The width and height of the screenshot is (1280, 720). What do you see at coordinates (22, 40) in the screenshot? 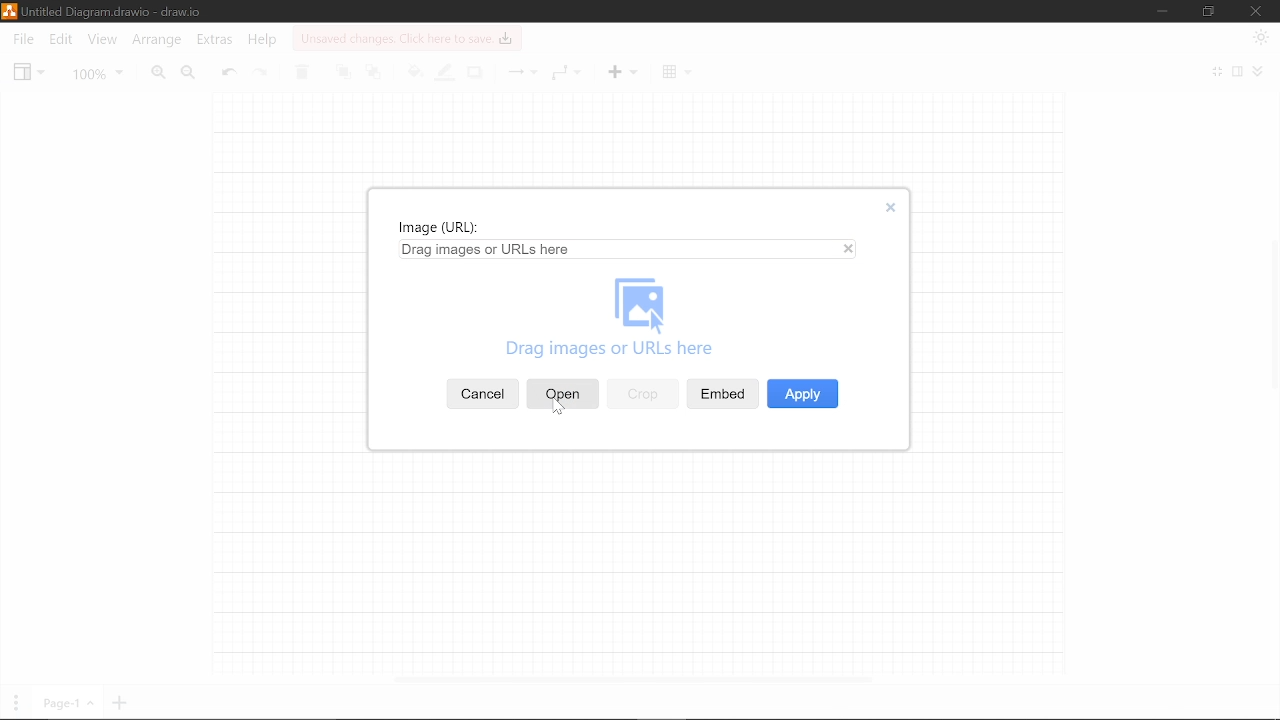
I see `File` at bounding box center [22, 40].